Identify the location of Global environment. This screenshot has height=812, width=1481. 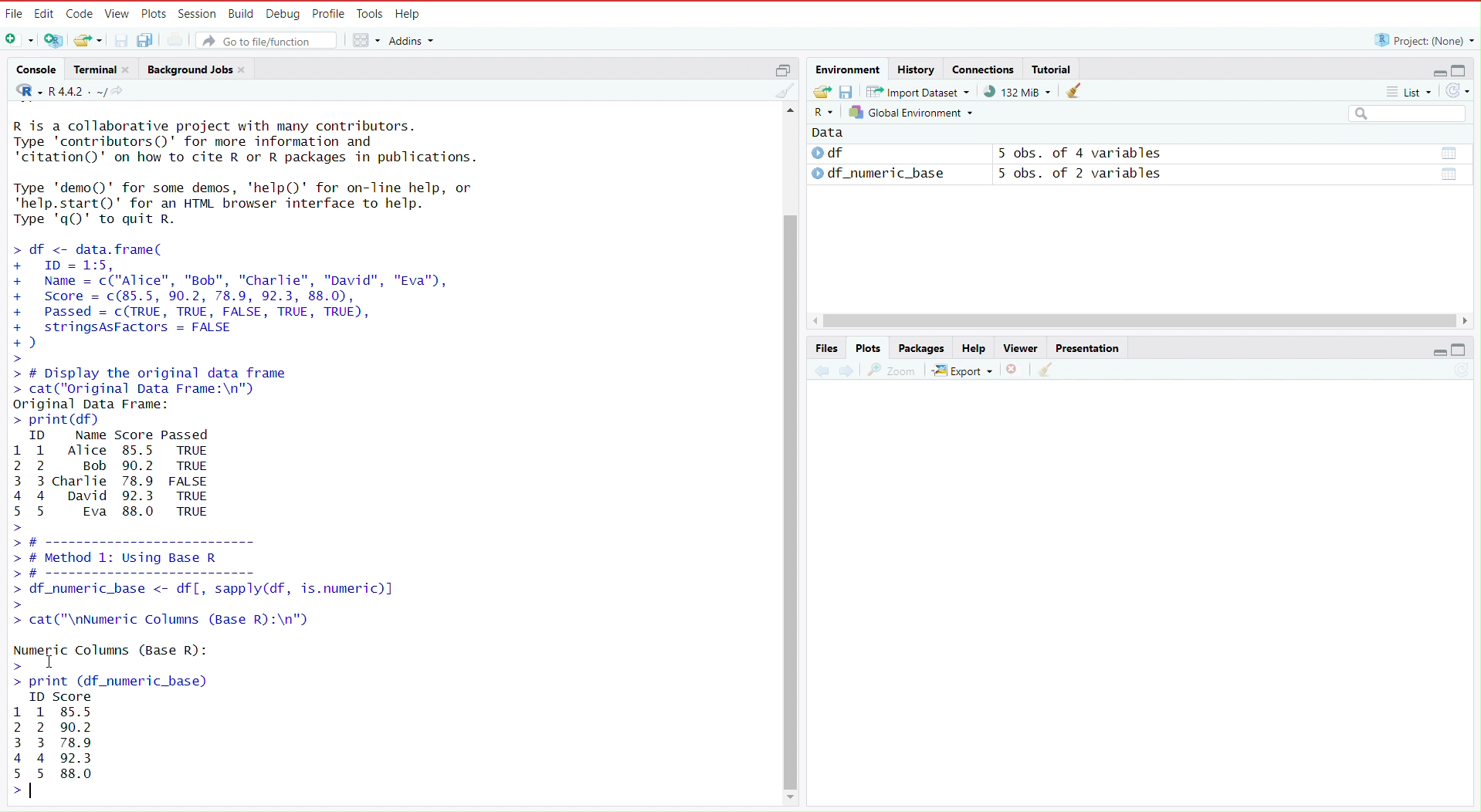
(912, 113).